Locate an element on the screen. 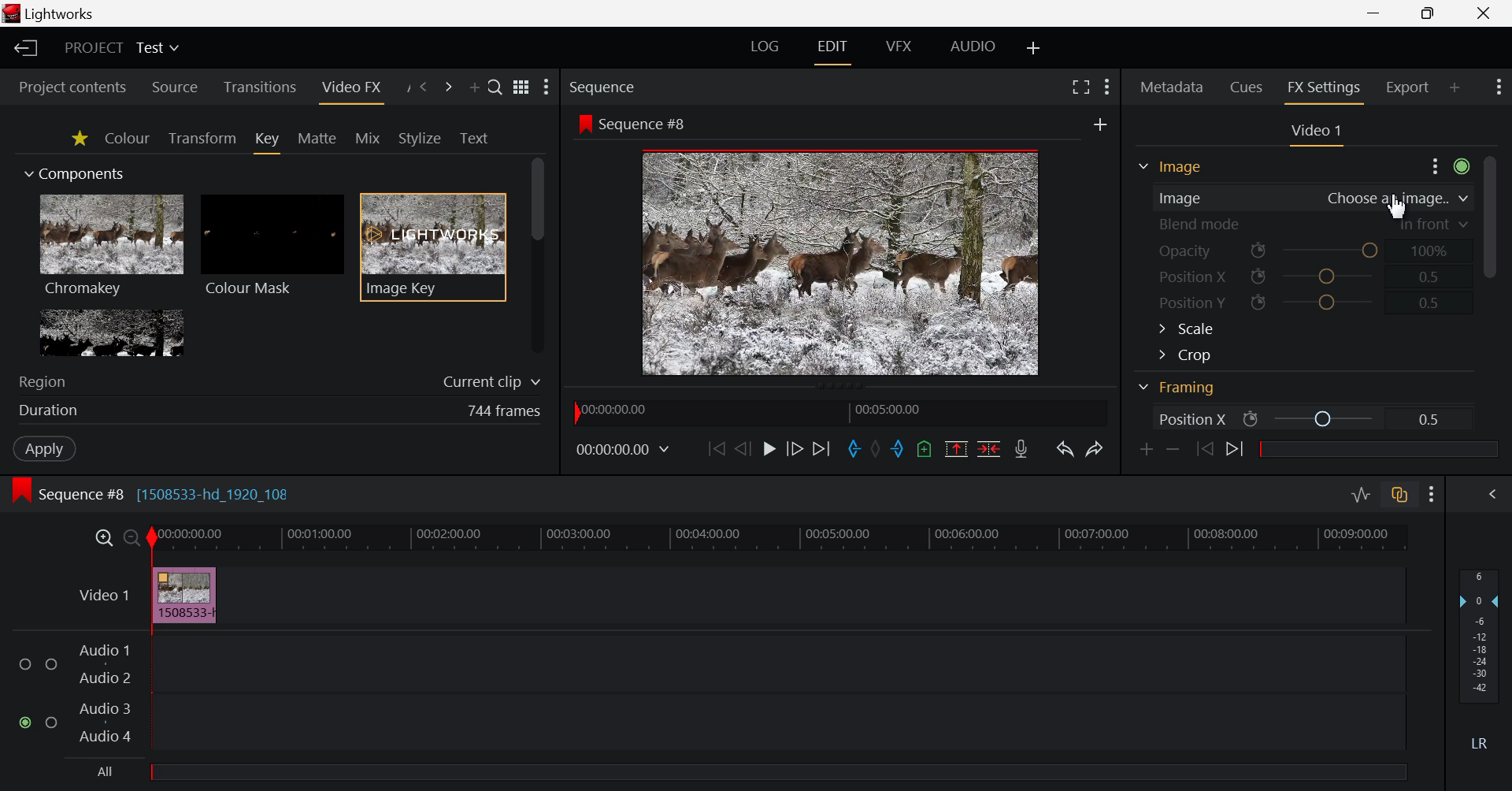  Mix is located at coordinates (367, 138).